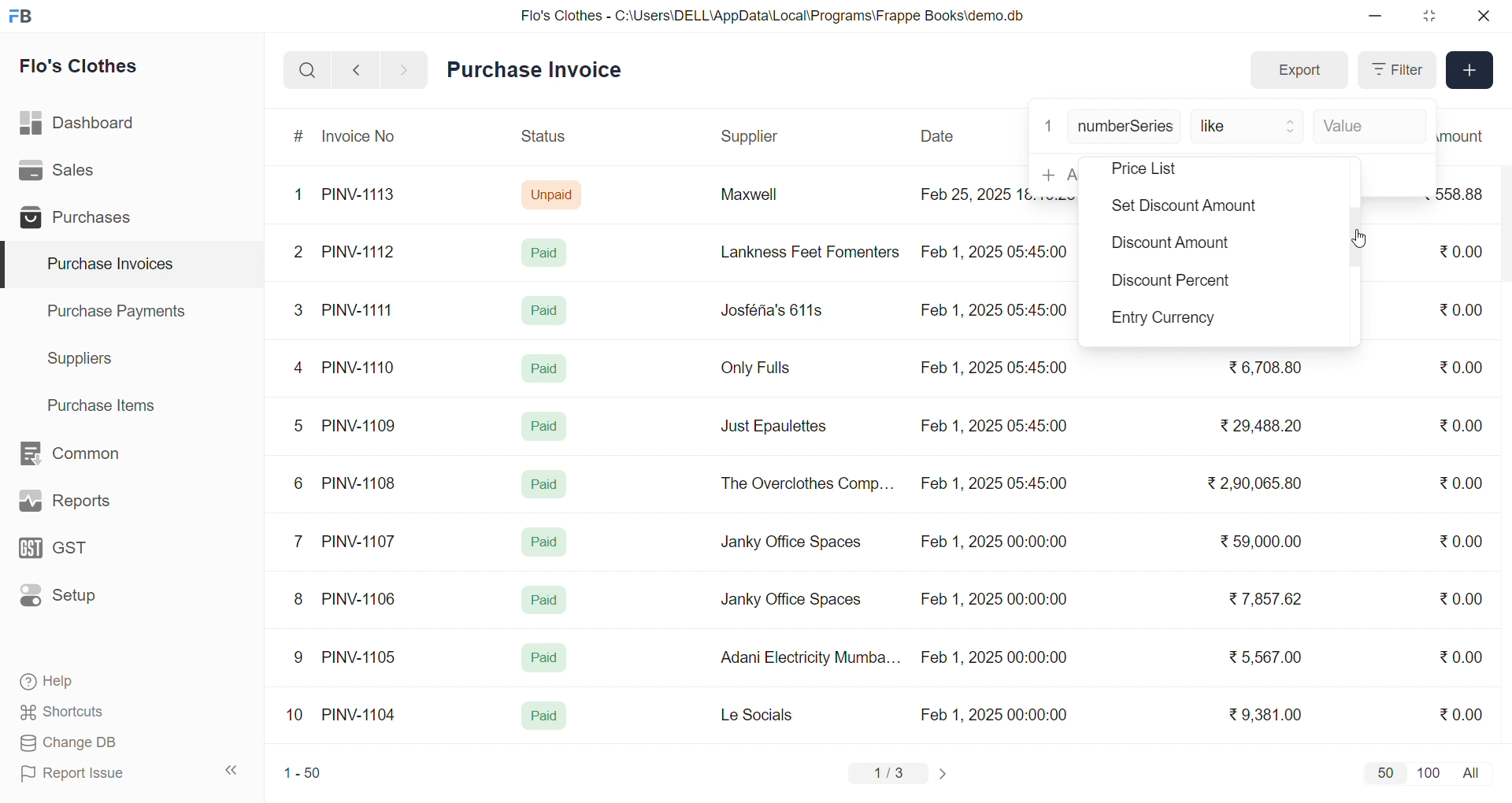 Image resolution: width=1512 pixels, height=803 pixels. Describe the element at coordinates (82, 553) in the screenshot. I see `GST` at that location.